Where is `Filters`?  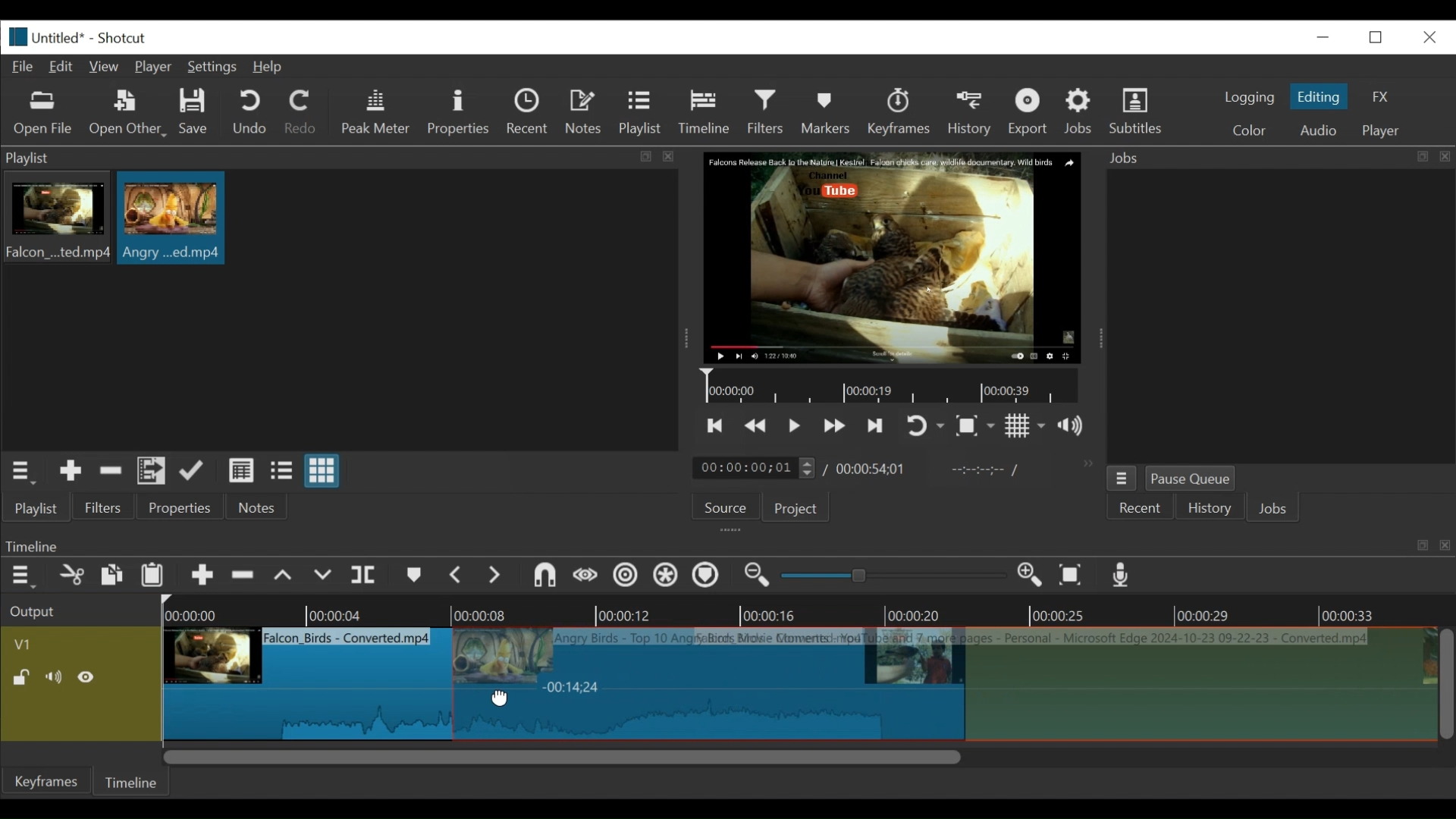 Filters is located at coordinates (770, 112).